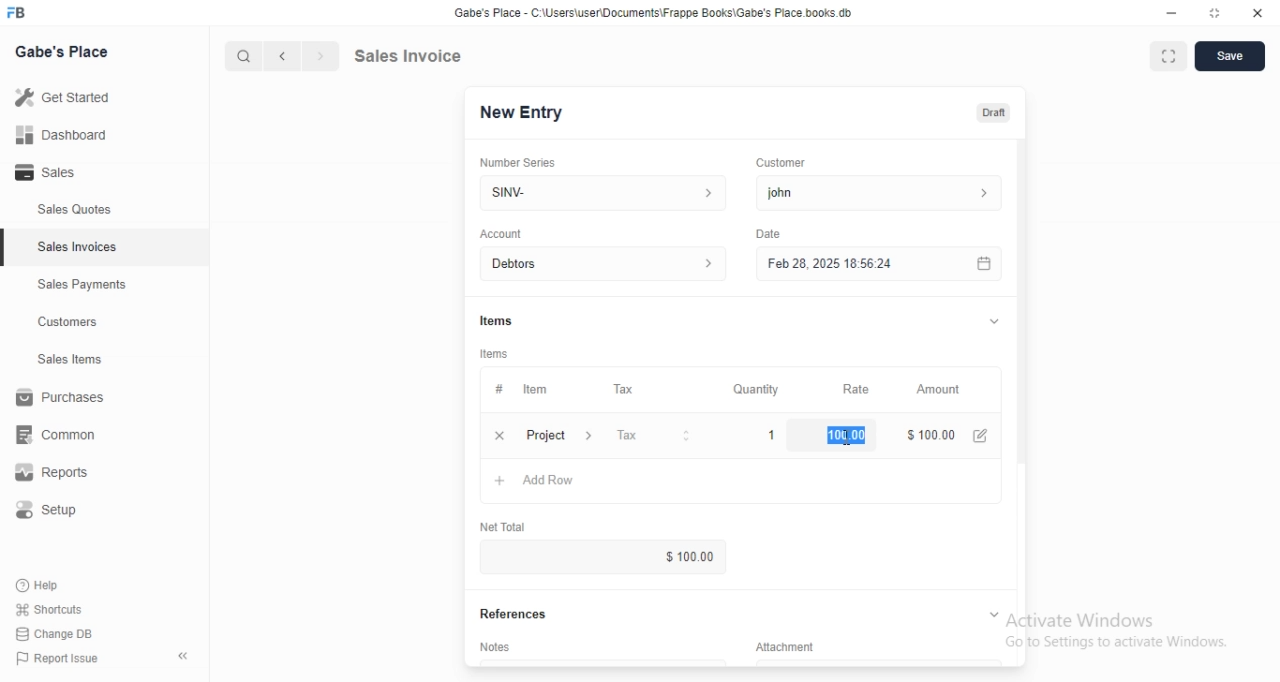 This screenshot has height=682, width=1280. I want to click on + Add Row, so click(546, 482).